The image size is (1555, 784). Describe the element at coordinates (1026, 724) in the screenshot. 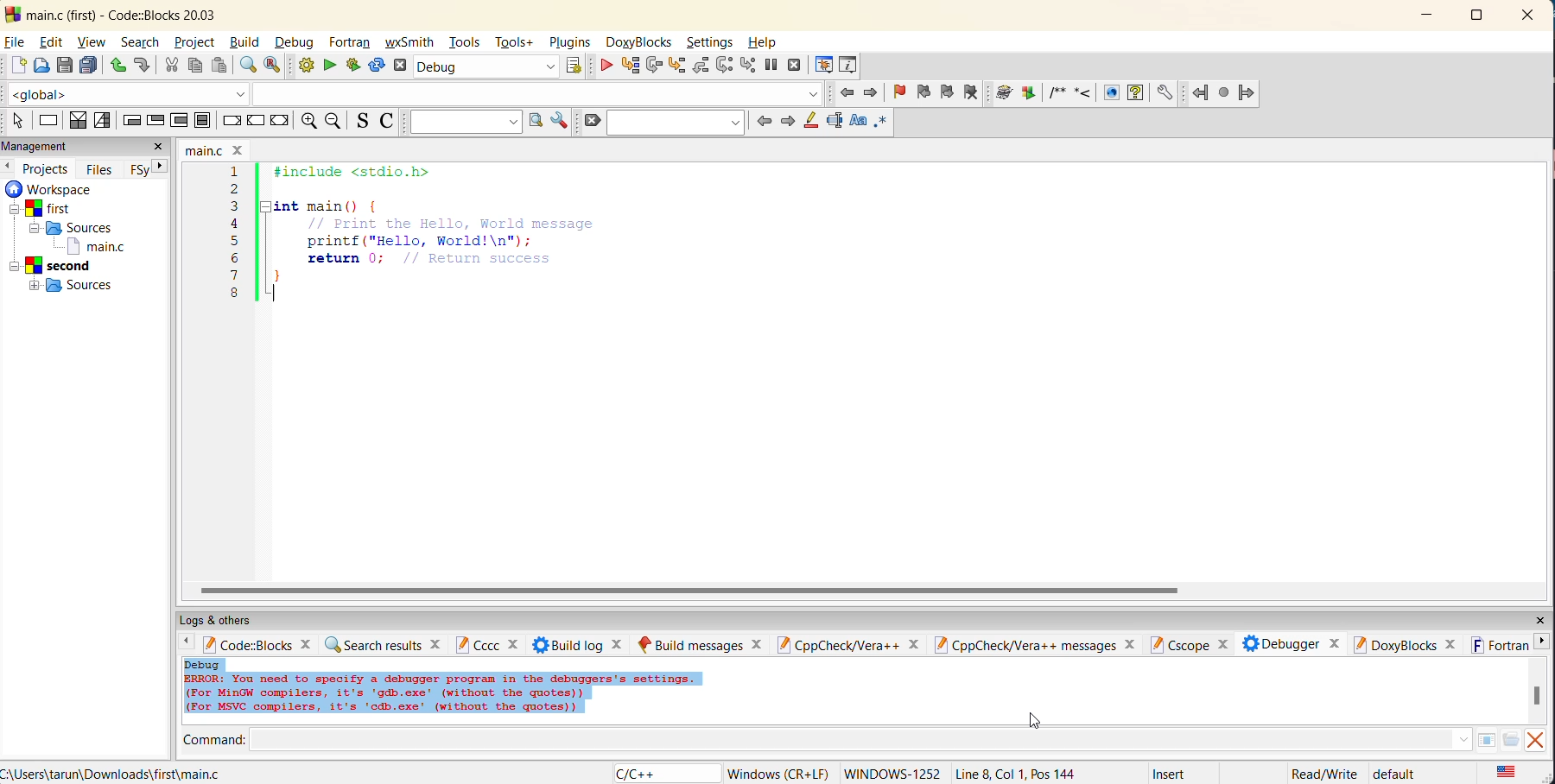

I see `cursor` at that location.